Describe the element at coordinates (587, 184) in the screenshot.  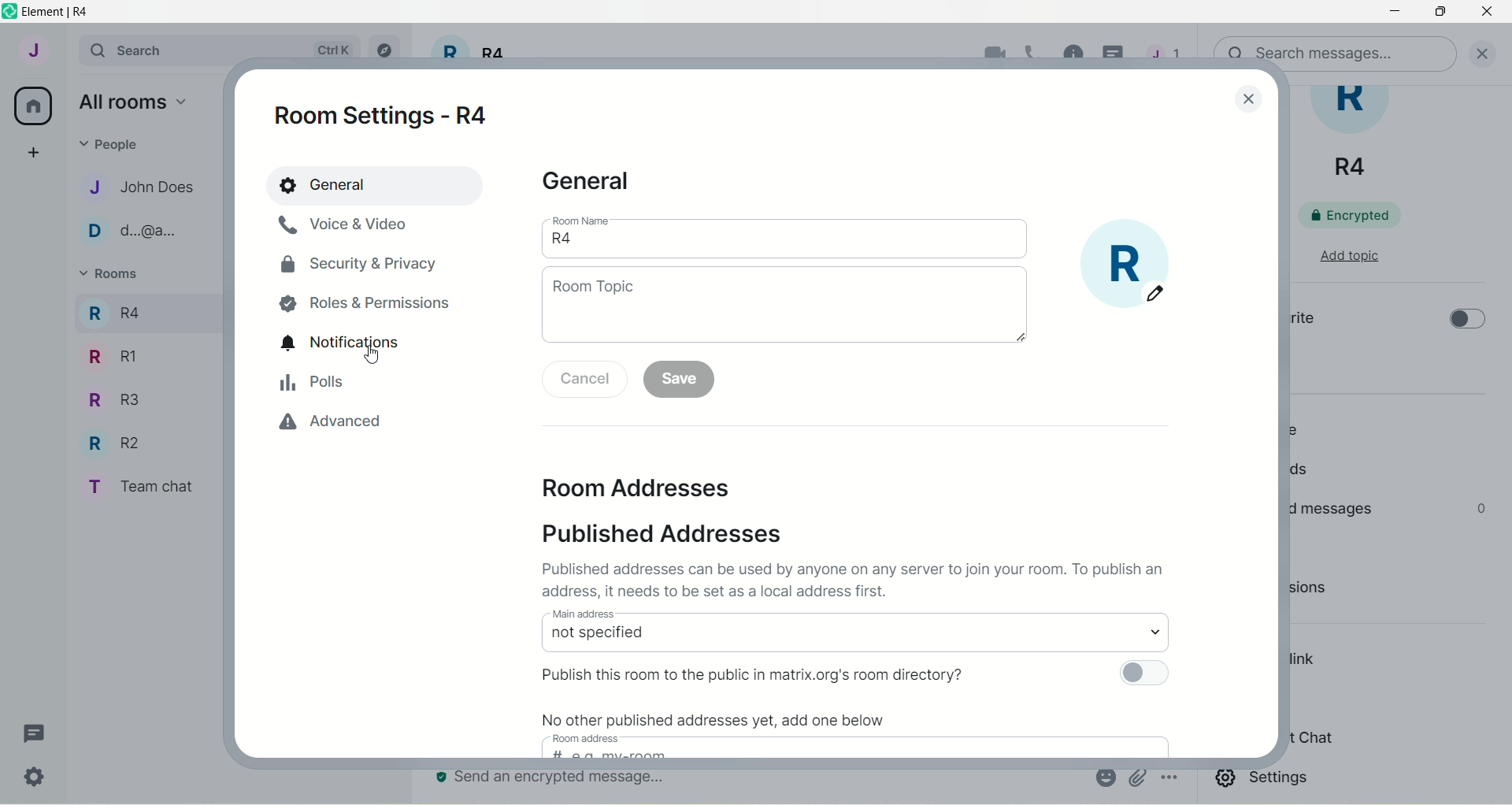
I see `general` at that location.